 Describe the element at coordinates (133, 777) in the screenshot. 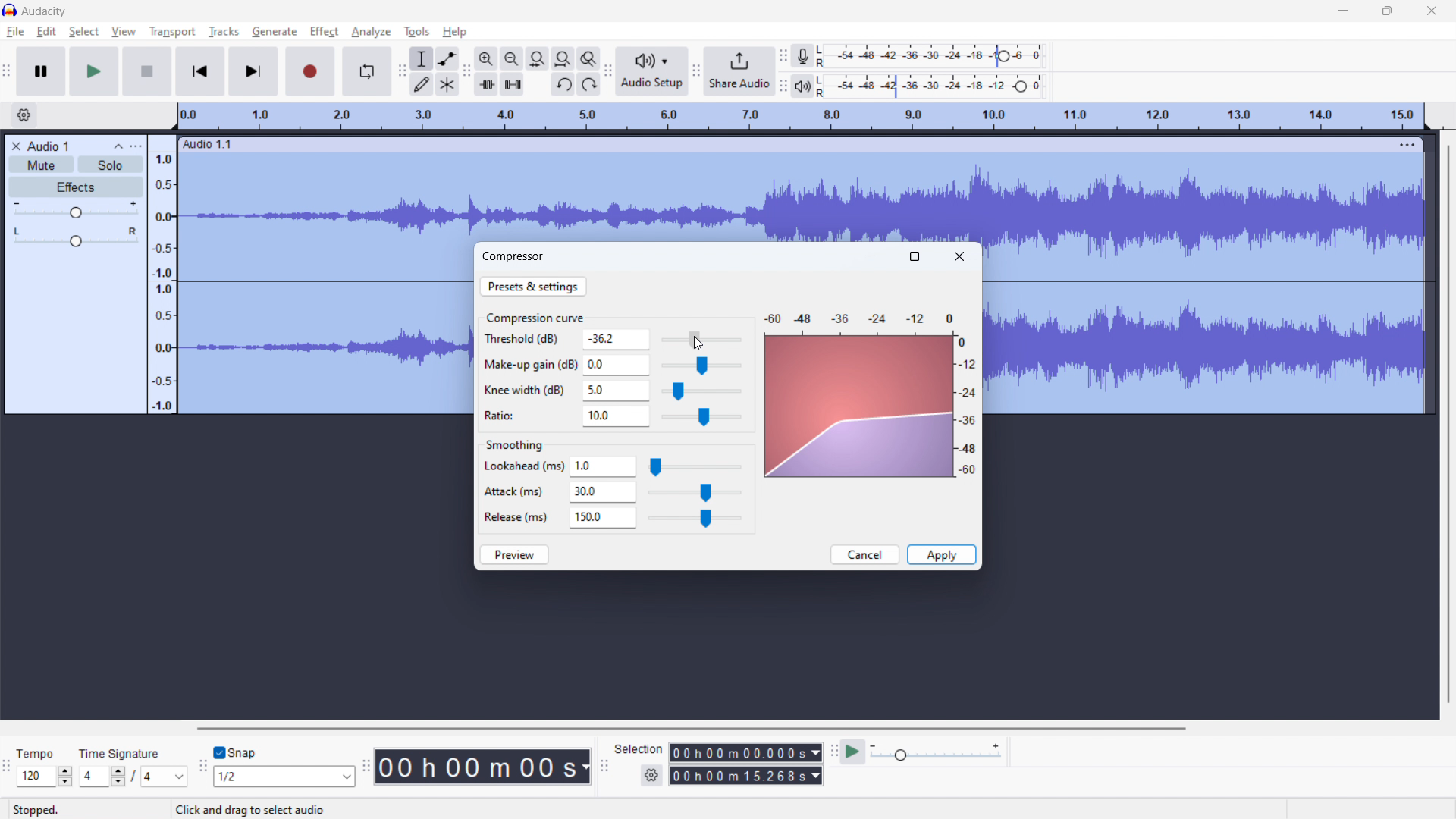

I see `4/4 (set time signature)` at that location.